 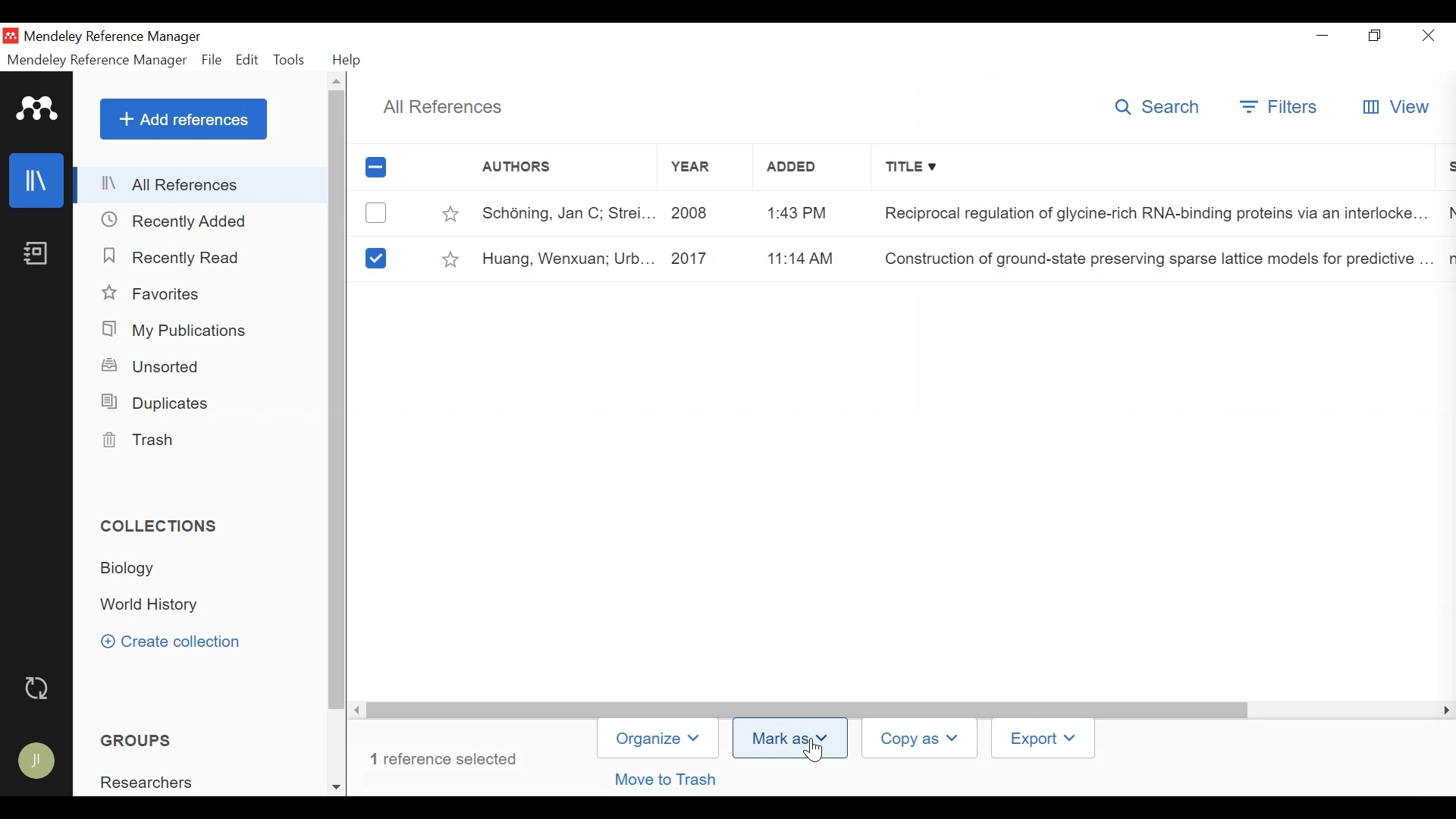 What do you see at coordinates (690, 170) in the screenshot?
I see `Year` at bounding box center [690, 170].